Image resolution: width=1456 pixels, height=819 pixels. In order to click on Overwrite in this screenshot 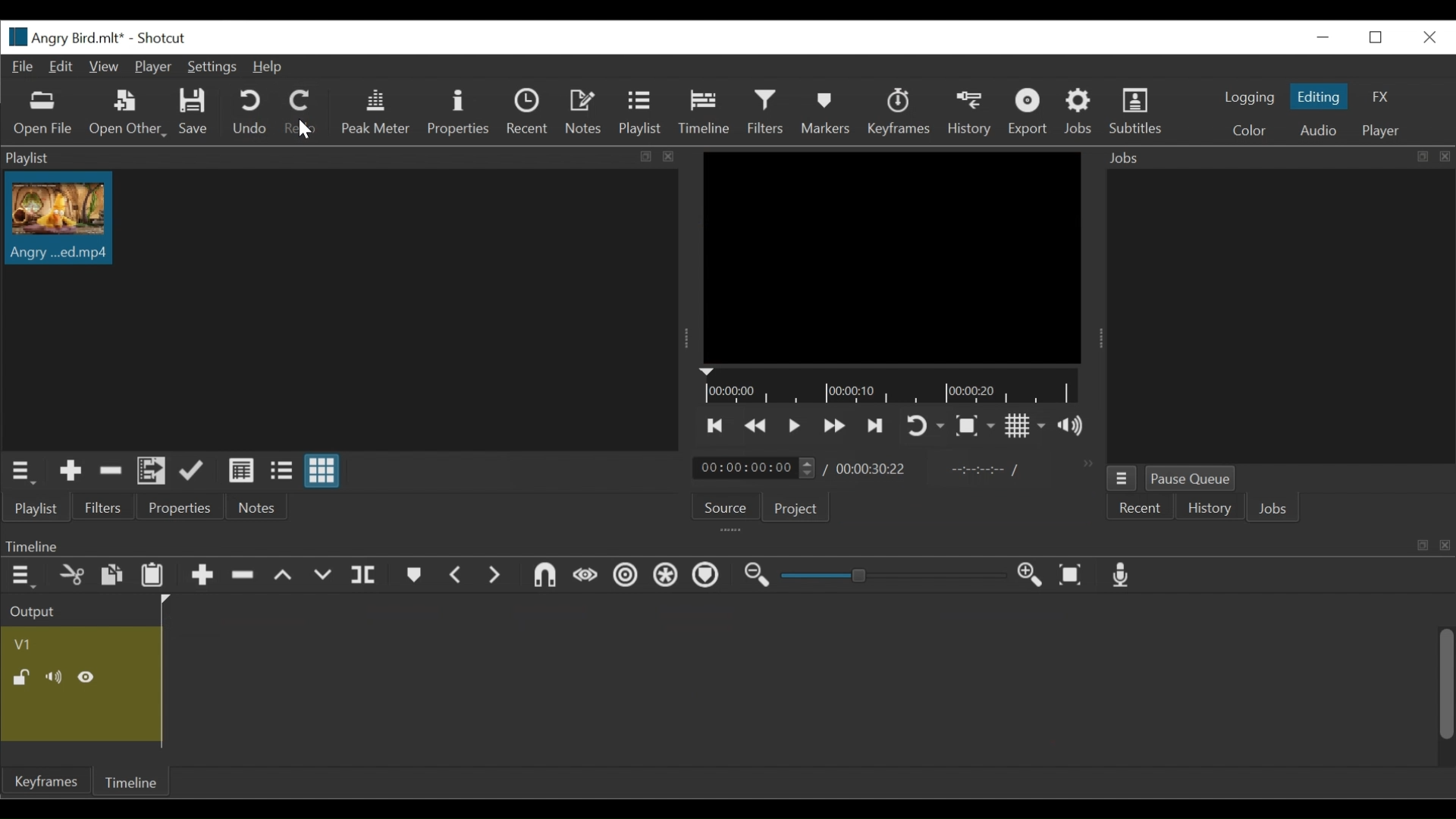, I will do `click(324, 578)`.